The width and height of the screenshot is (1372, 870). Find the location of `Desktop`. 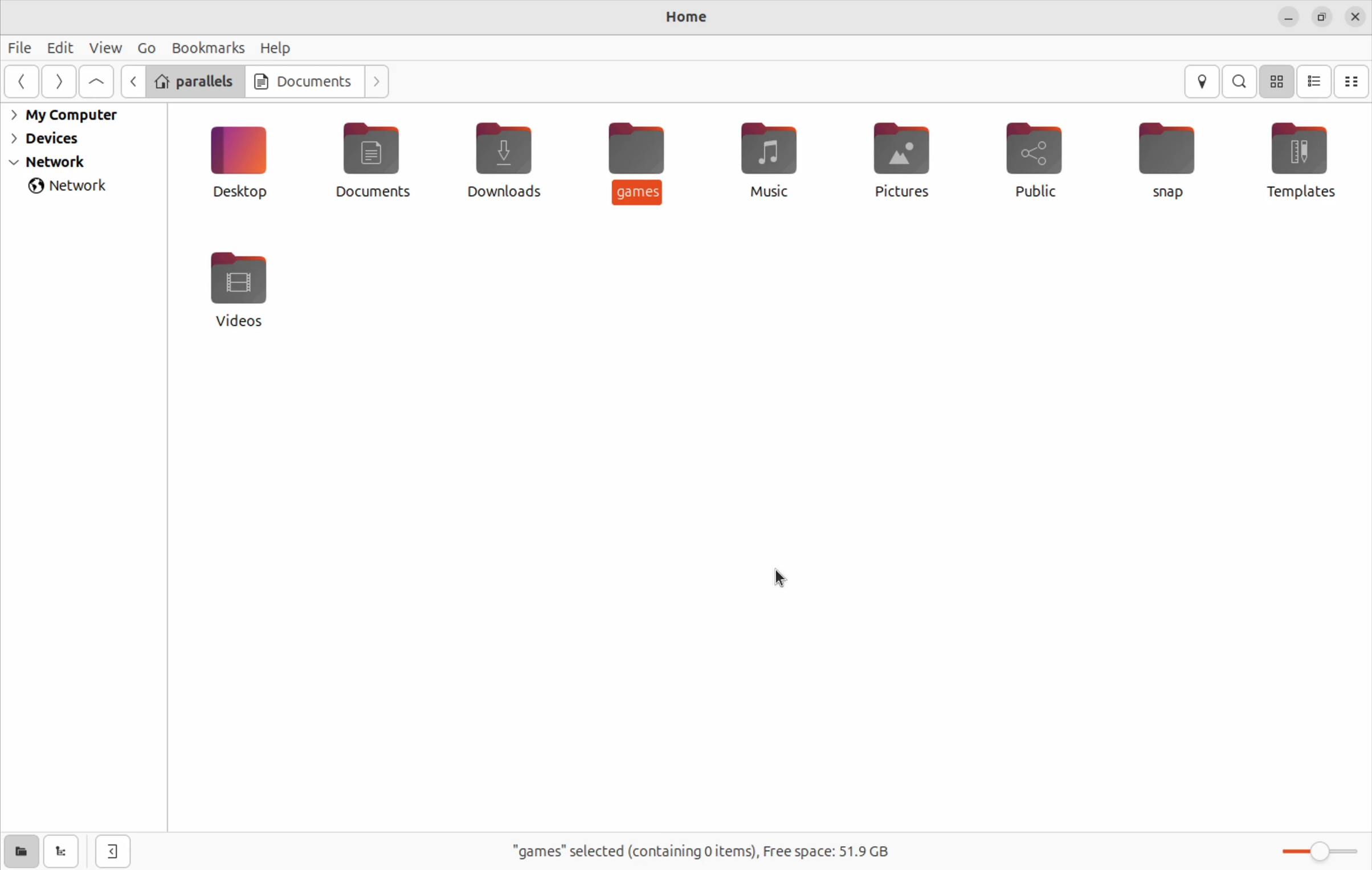

Desktop is located at coordinates (244, 162).